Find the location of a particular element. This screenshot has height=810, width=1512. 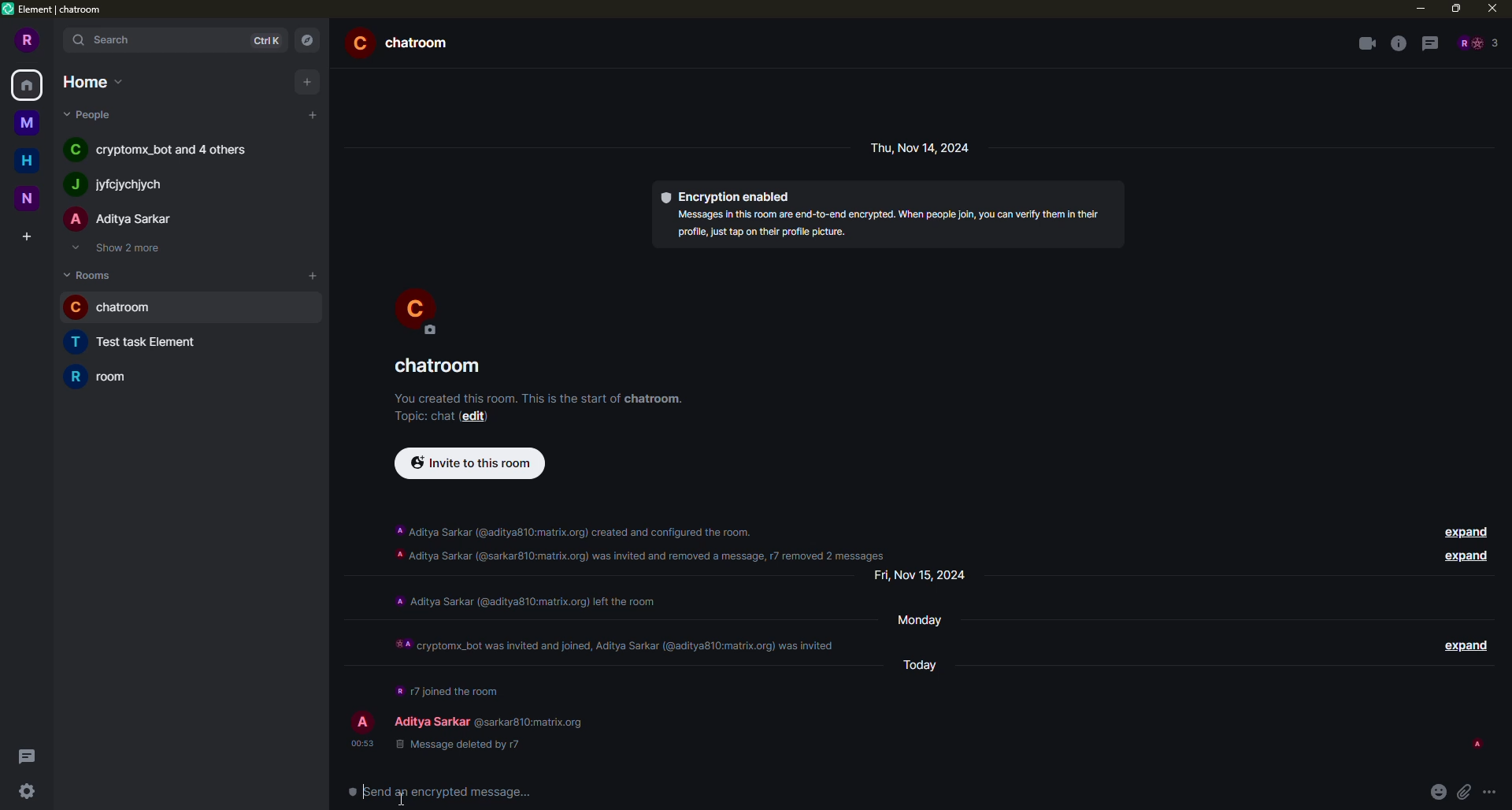

emoji is located at coordinates (1439, 790).